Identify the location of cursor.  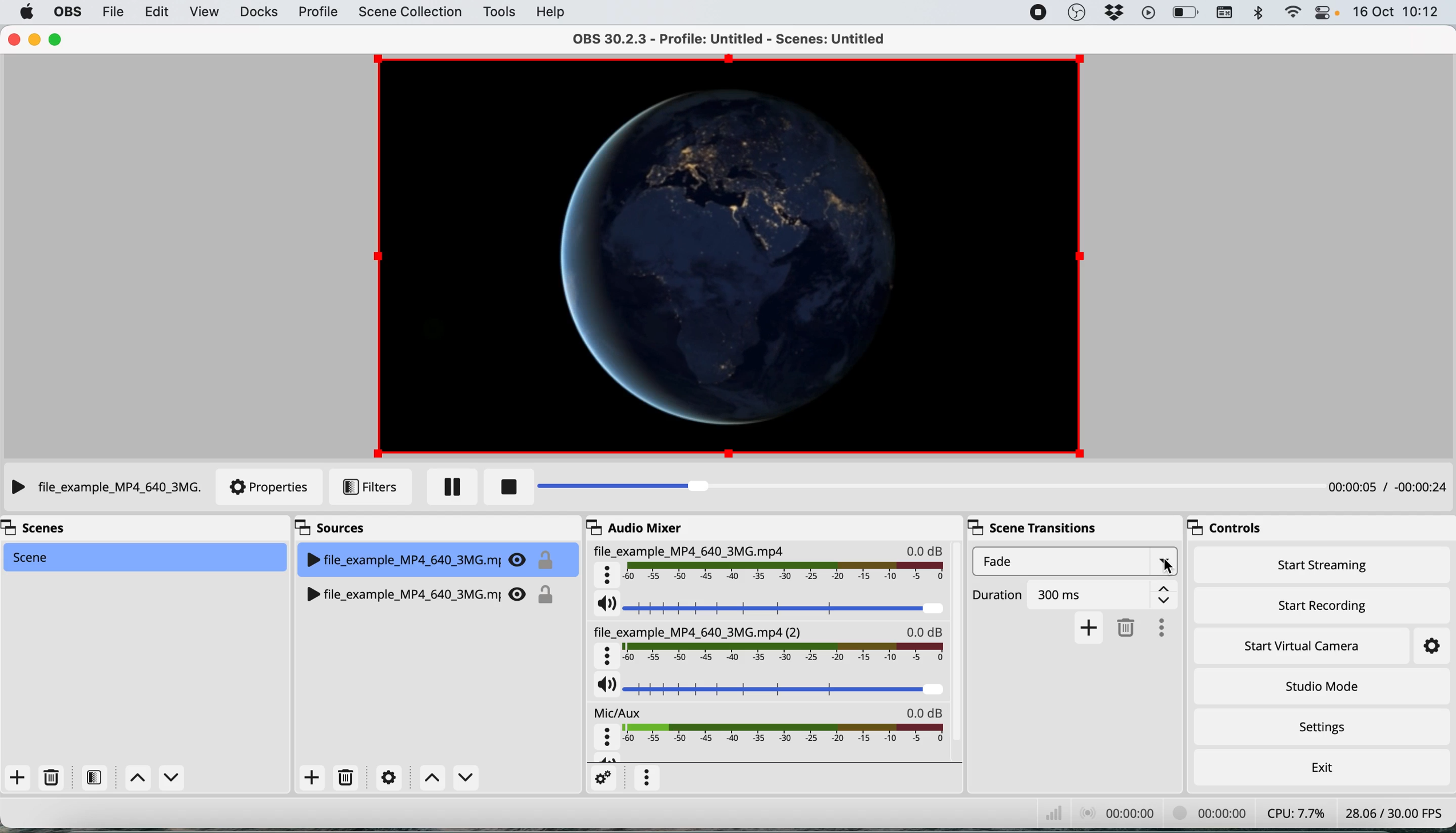
(1163, 565).